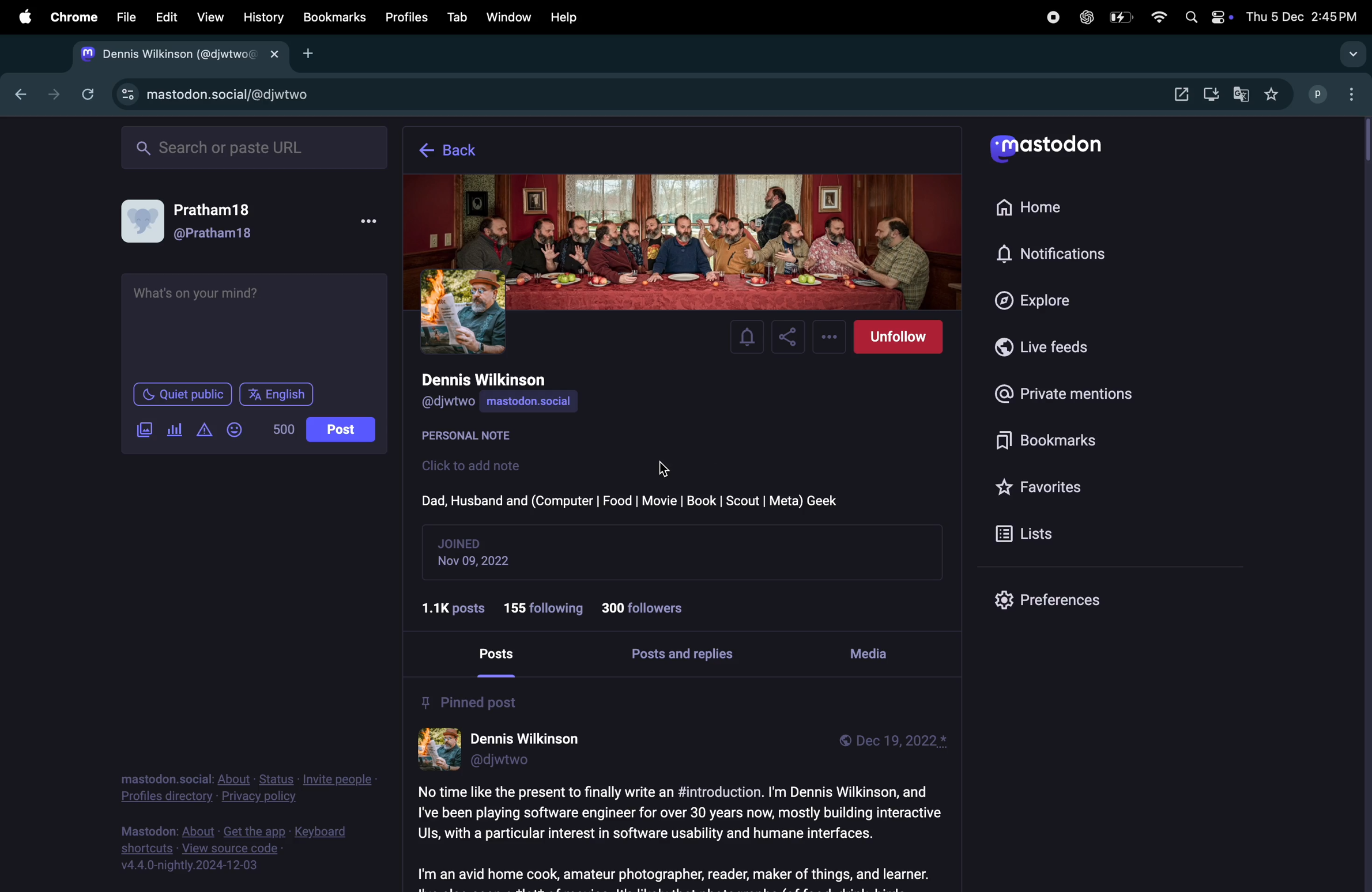 Image resolution: width=1372 pixels, height=892 pixels. I want to click on option, so click(1351, 55).